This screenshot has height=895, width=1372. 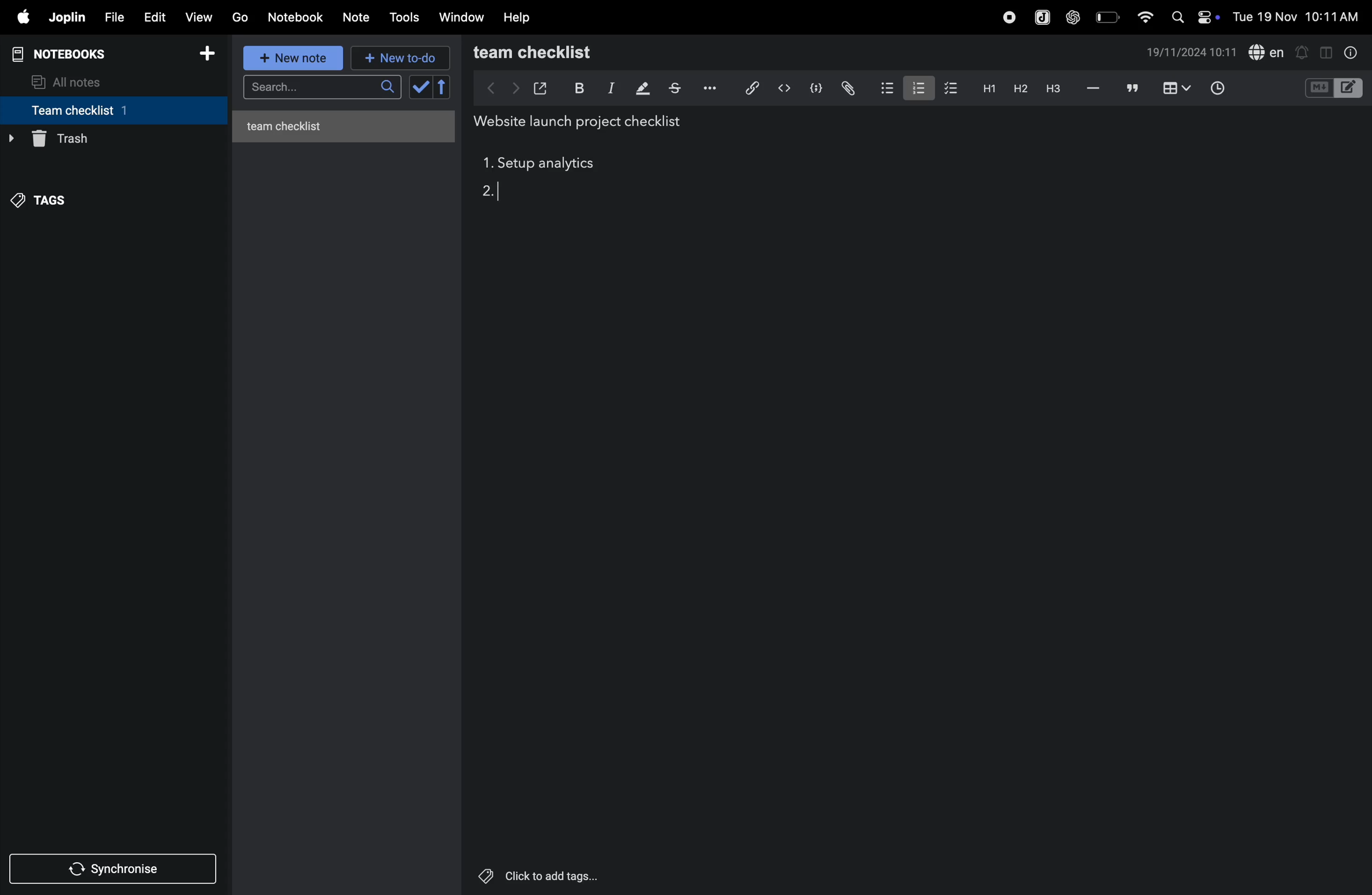 I want to click on file, so click(x=114, y=16).